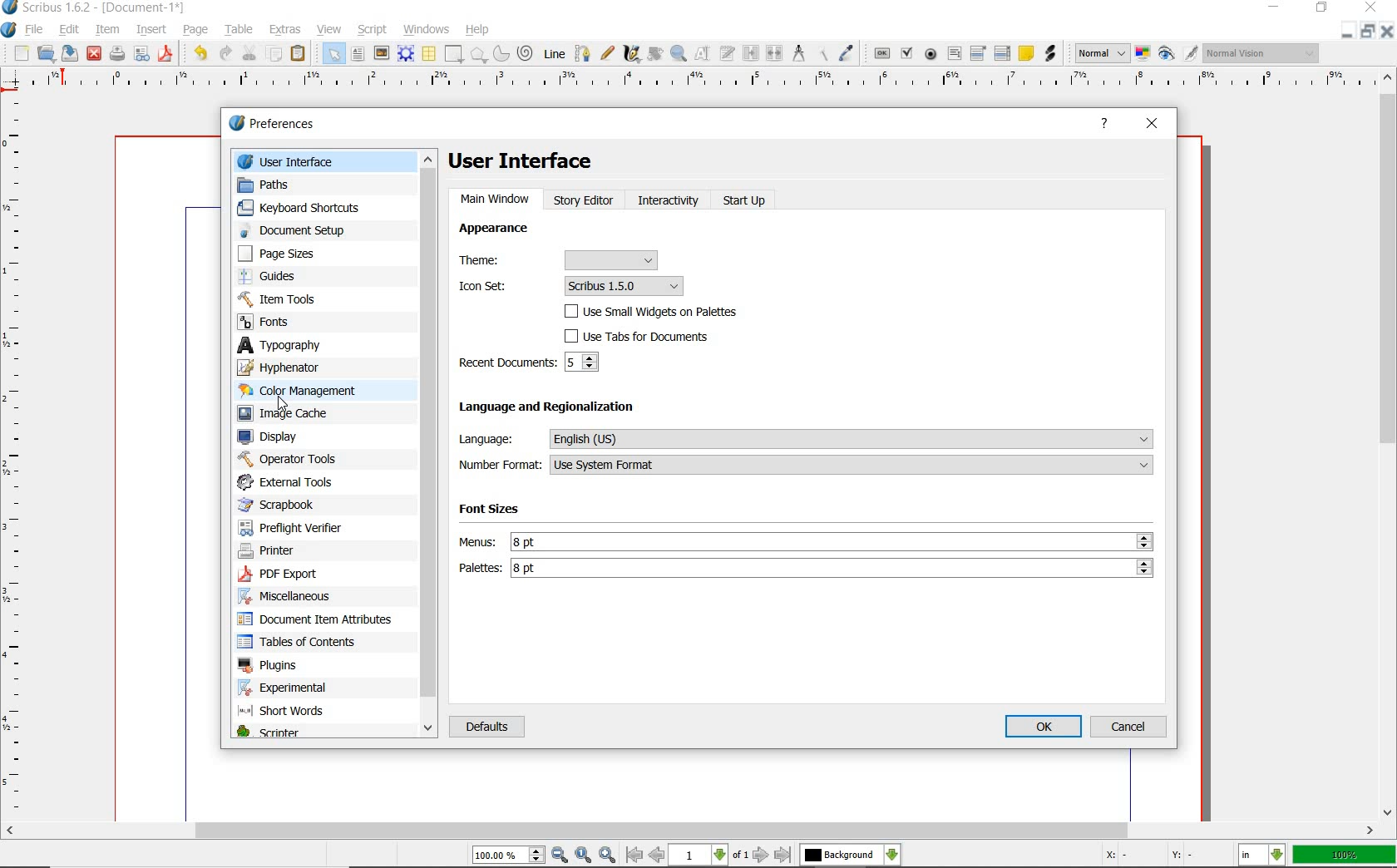 This screenshot has width=1397, height=868. I want to click on document setup, so click(293, 231).